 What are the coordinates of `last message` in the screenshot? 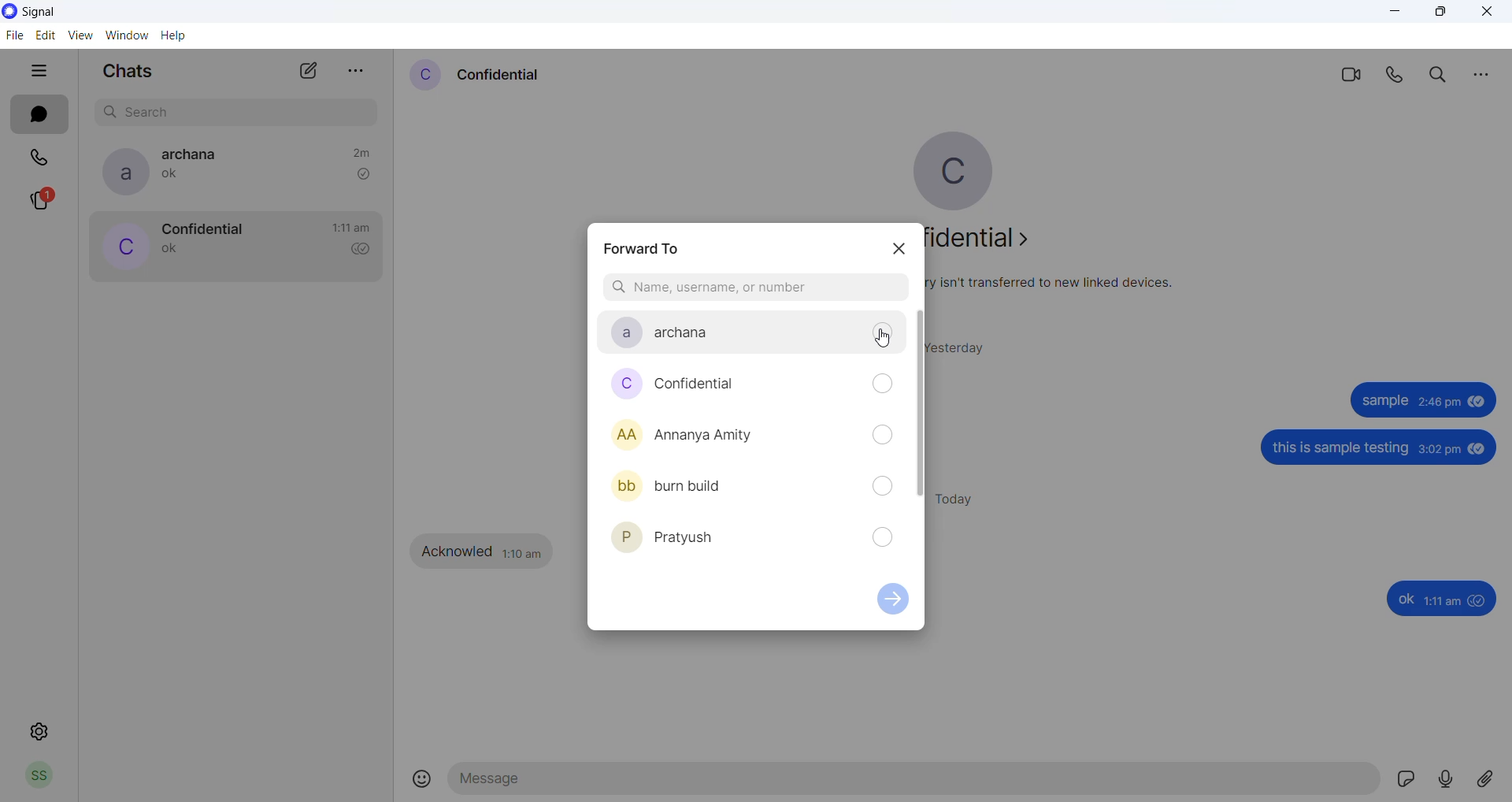 It's located at (174, 177).